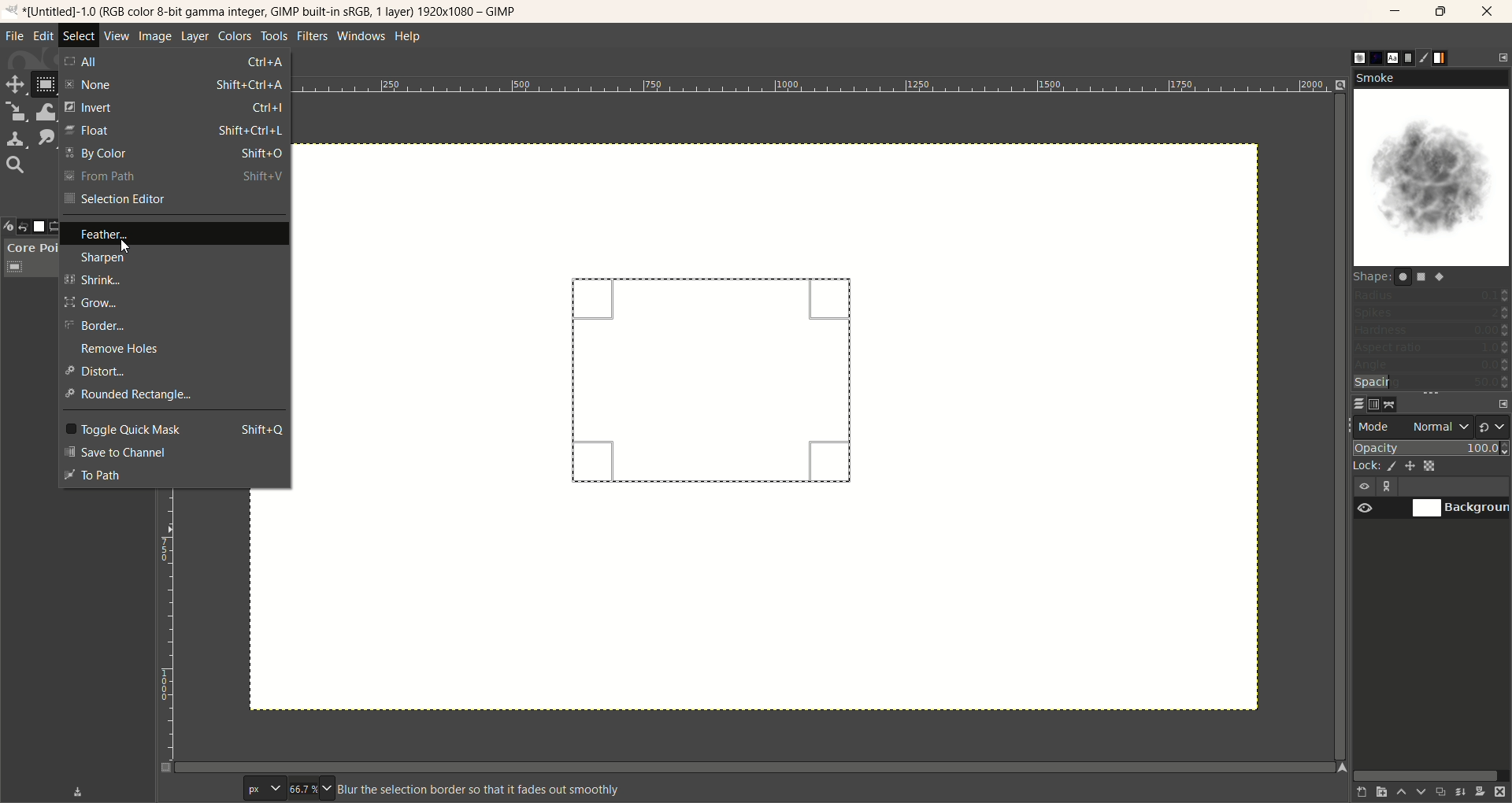  I want to click on zoom factor, so click(313, 788).